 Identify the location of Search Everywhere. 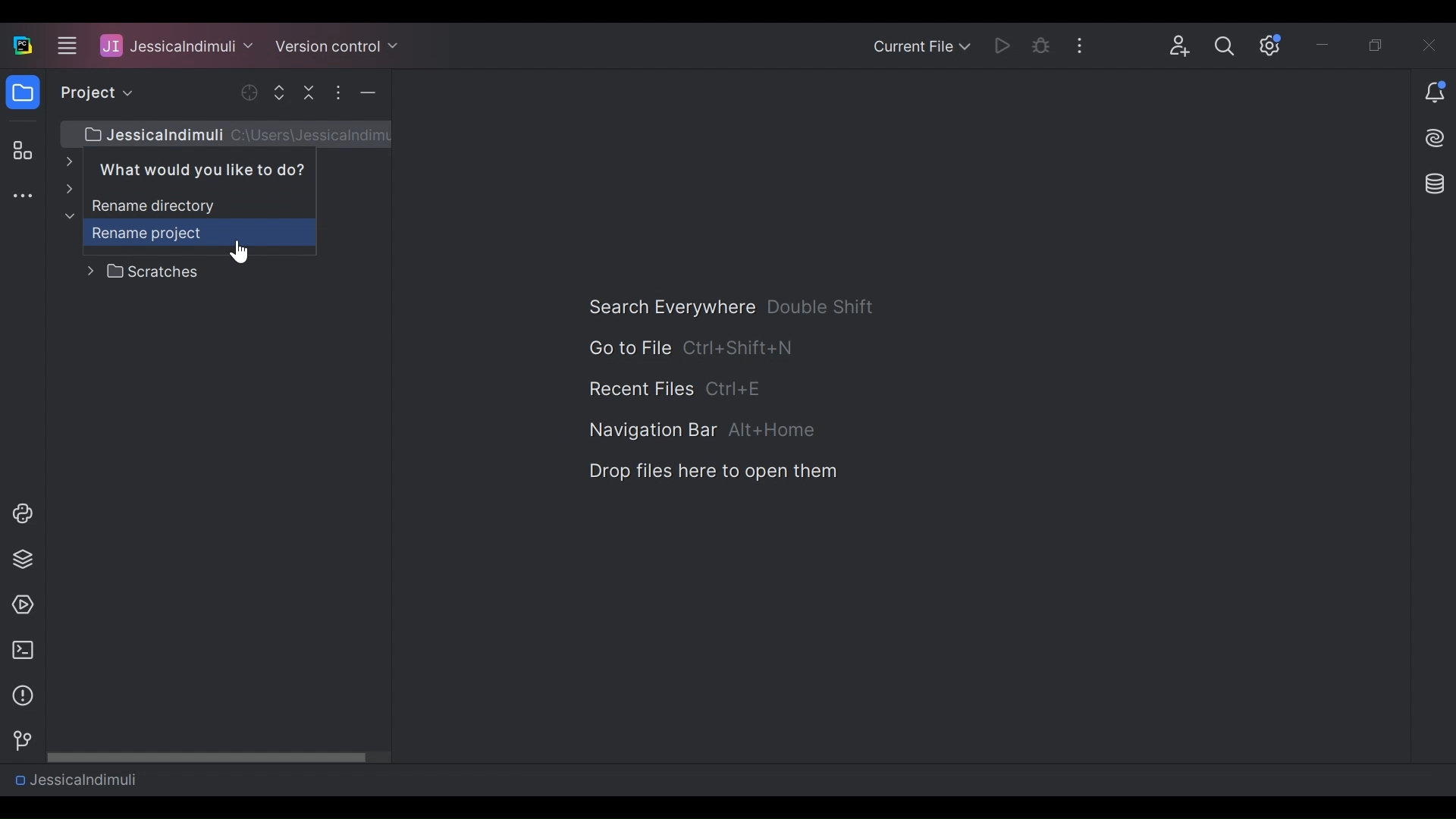
(670, 307).